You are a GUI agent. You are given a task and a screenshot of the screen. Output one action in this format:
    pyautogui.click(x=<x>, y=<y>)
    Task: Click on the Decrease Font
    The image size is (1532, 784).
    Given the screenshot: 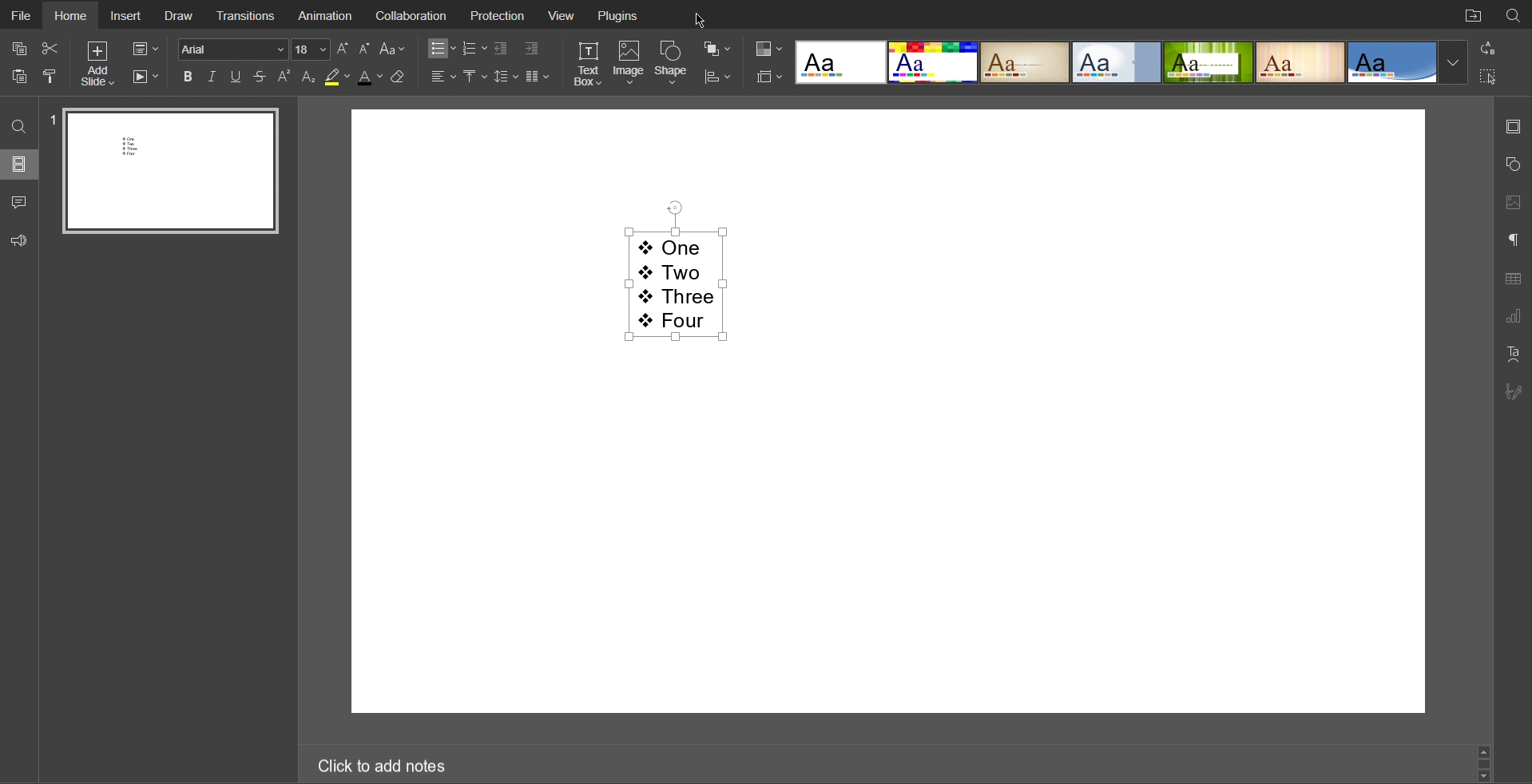 What is the action you would take?
    pyautogui.click(x=363, y=49)
    